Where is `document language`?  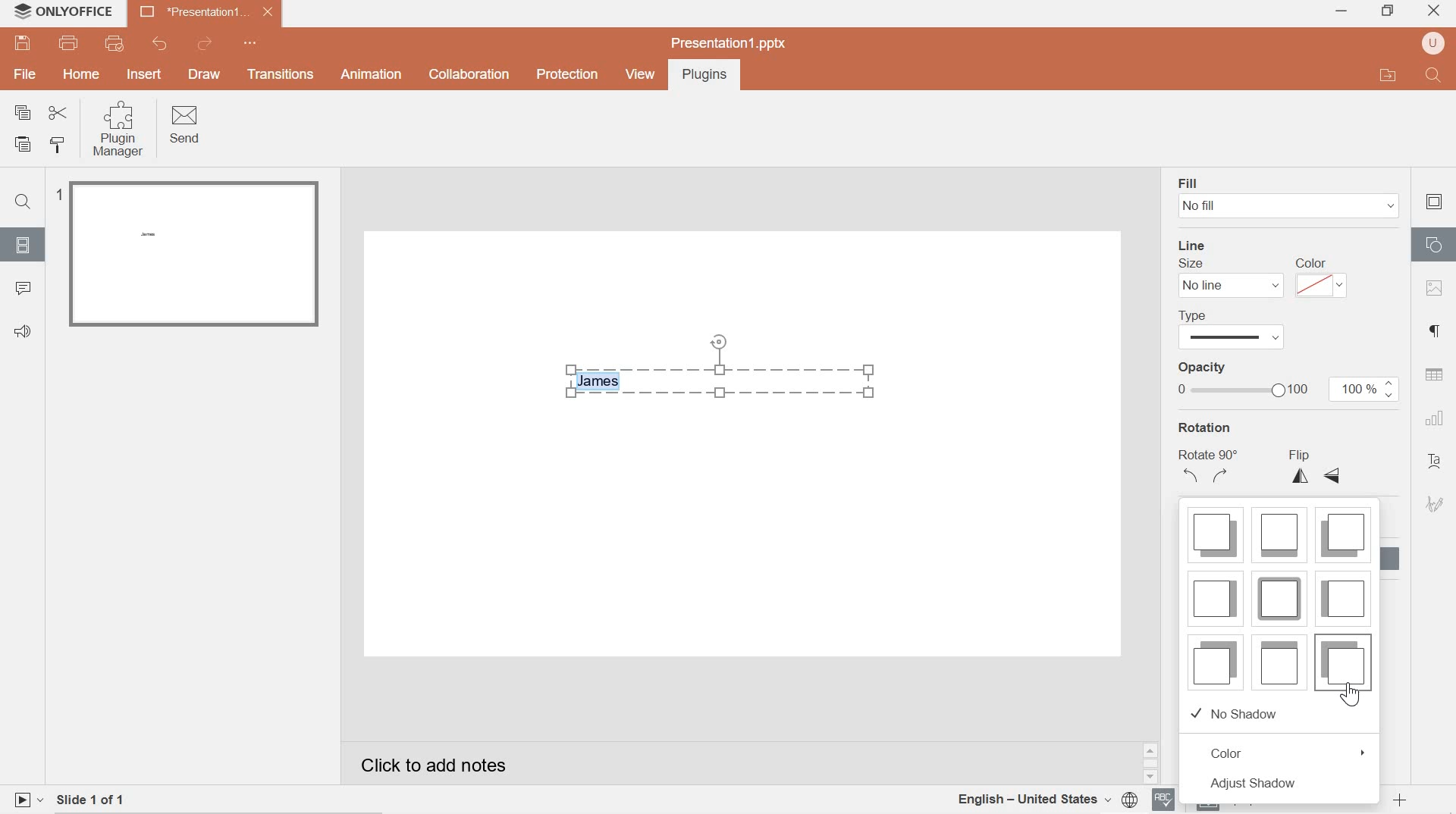
document language is located at coordinates (1047, 798).